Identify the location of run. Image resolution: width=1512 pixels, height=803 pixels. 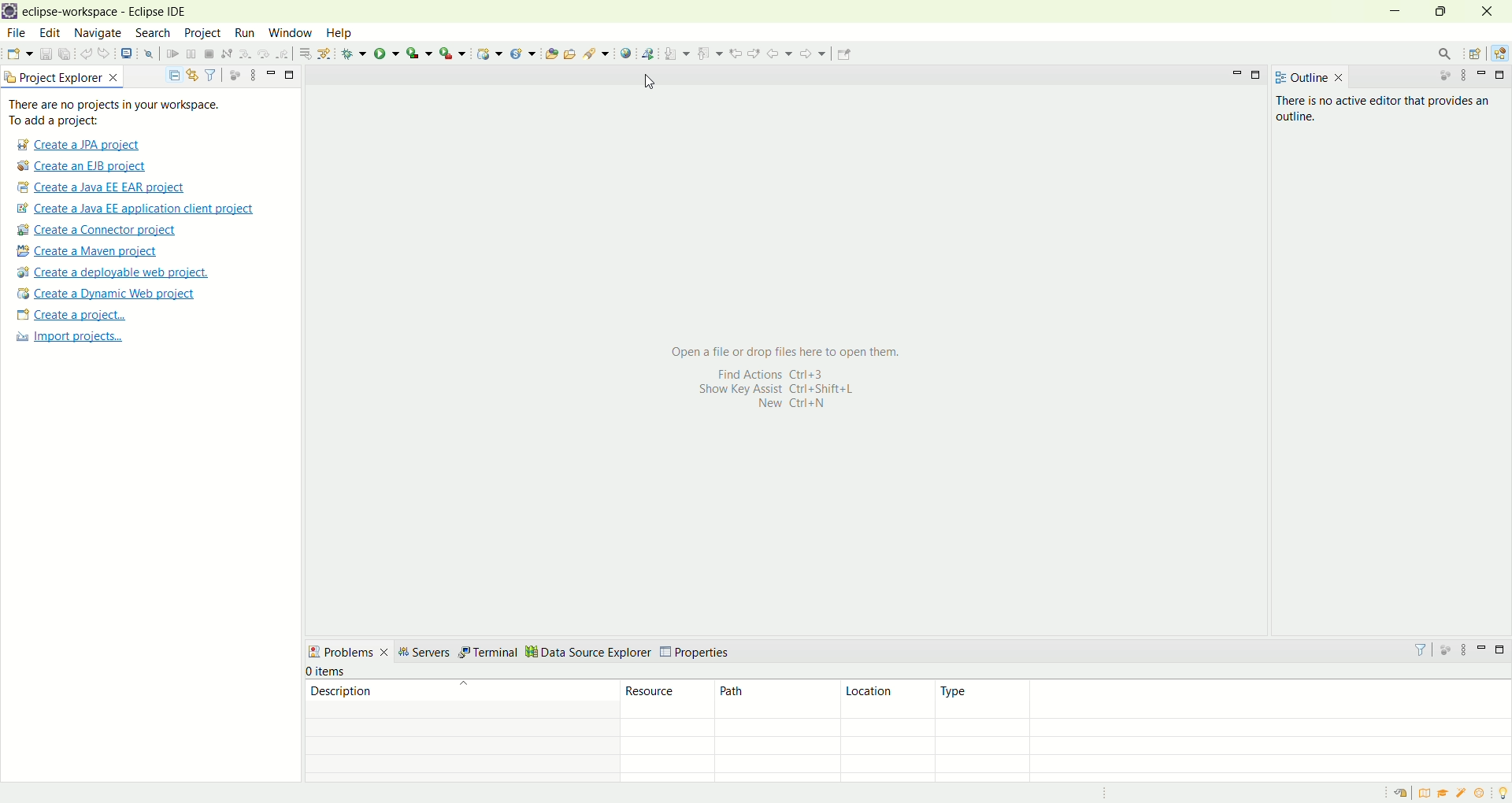
(243, 32).